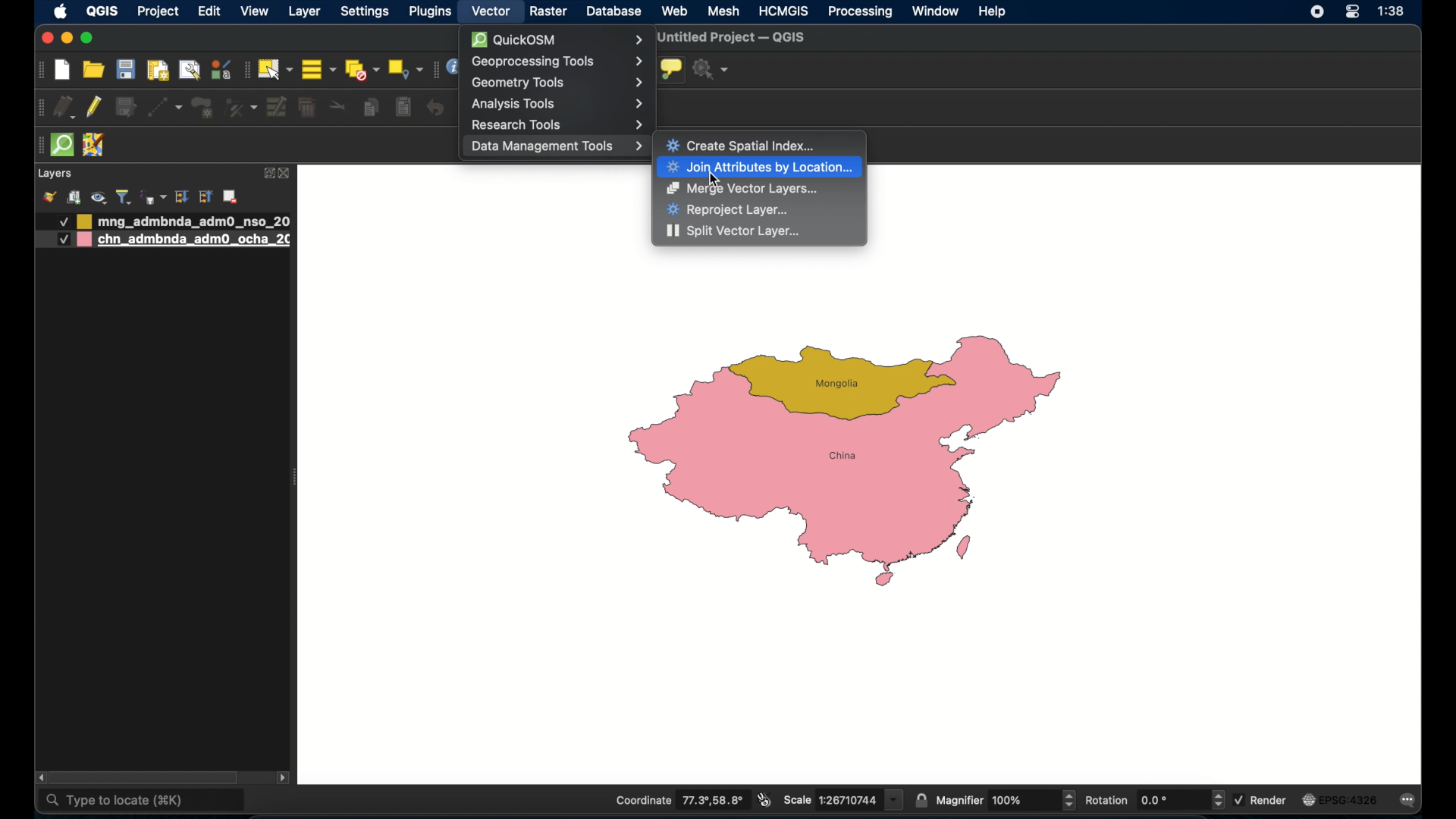 The height and width of the screenshot is (819, 1456). Describe the element at coordinates (764, 800) in the screenshot. I see `toggle mouse extents and display position` at that location.